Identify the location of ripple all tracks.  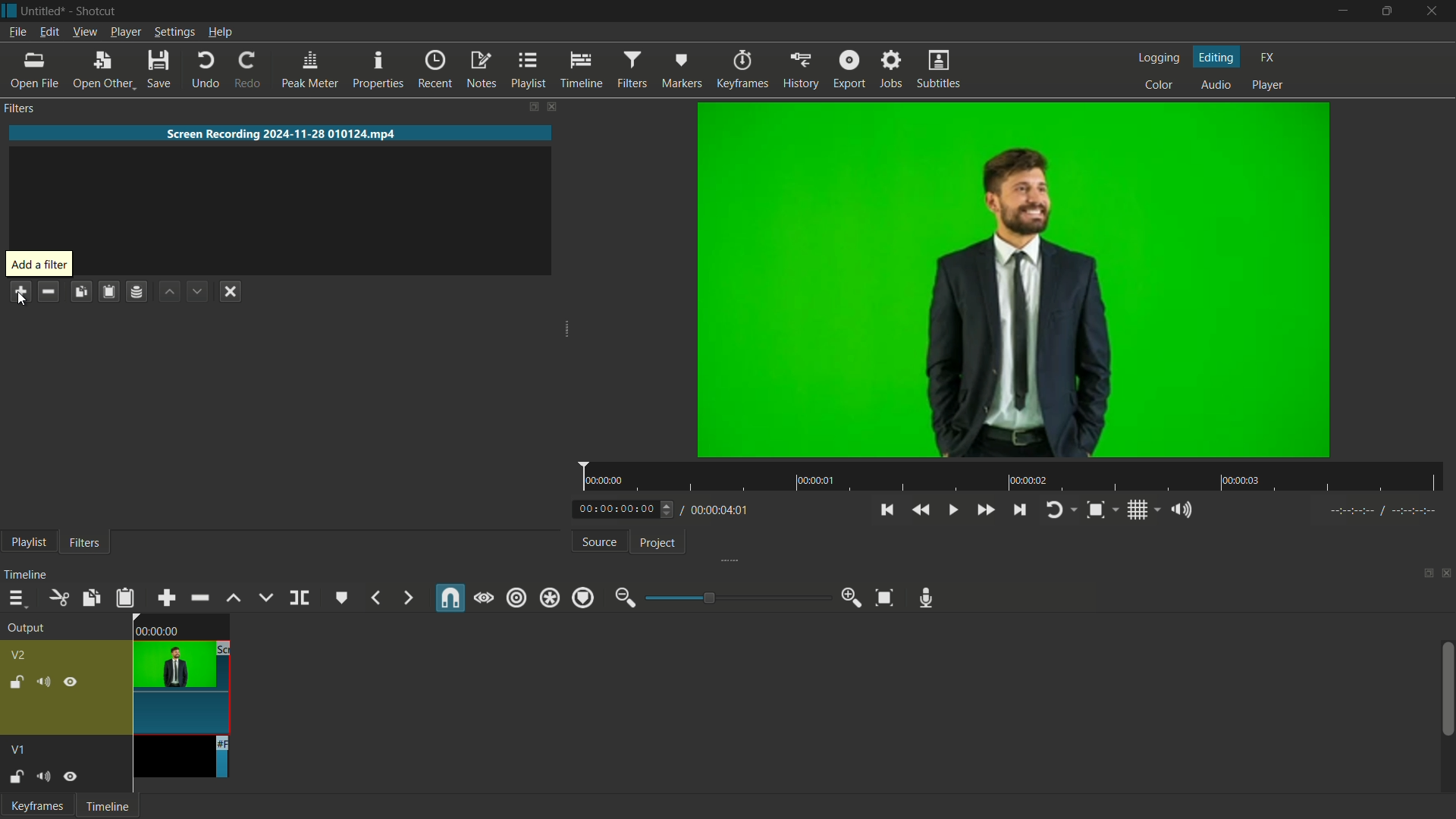
(548, 598).